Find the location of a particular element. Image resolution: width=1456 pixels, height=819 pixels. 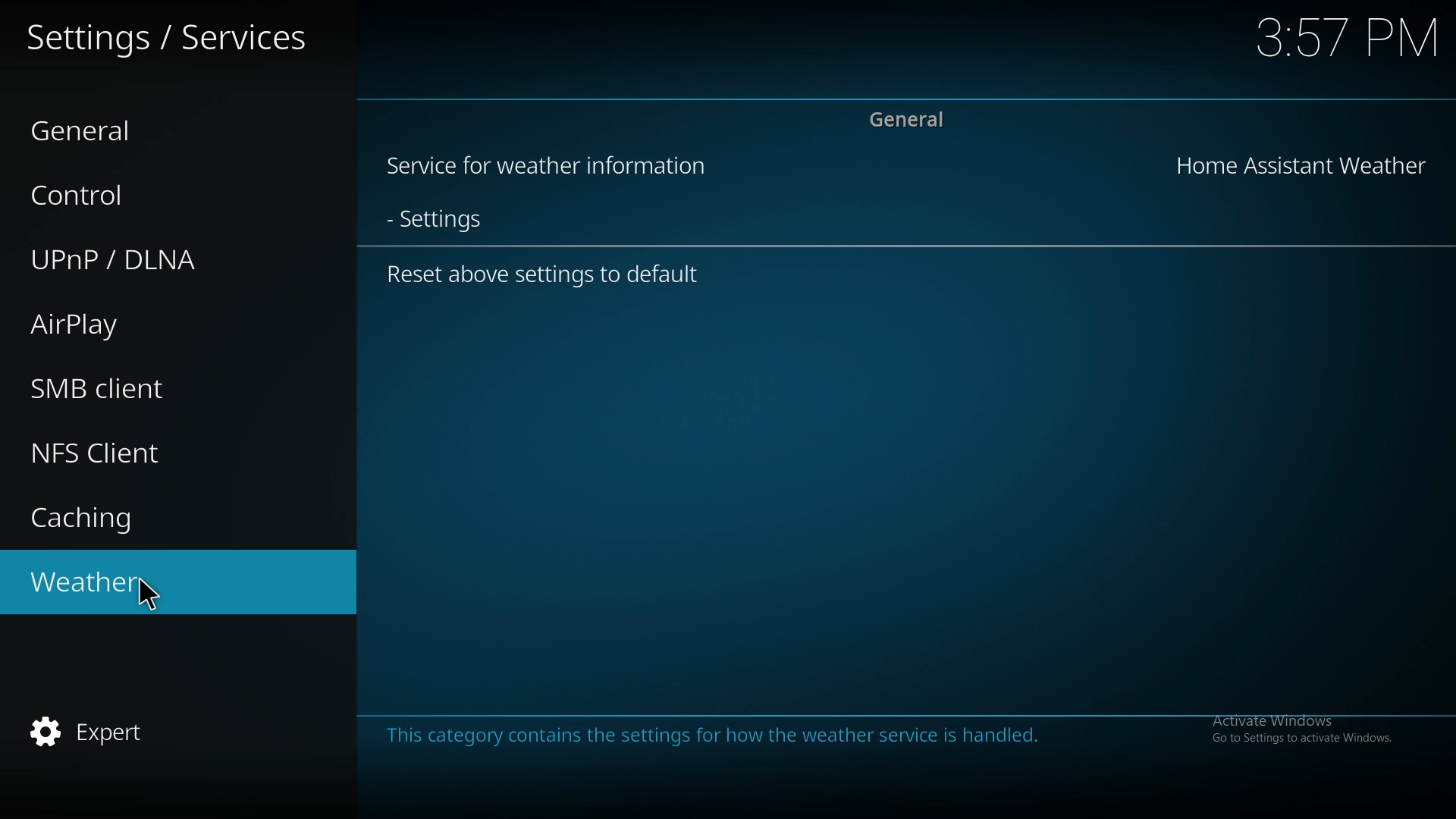

upnp/dlna is located at coordinates (156, 258).